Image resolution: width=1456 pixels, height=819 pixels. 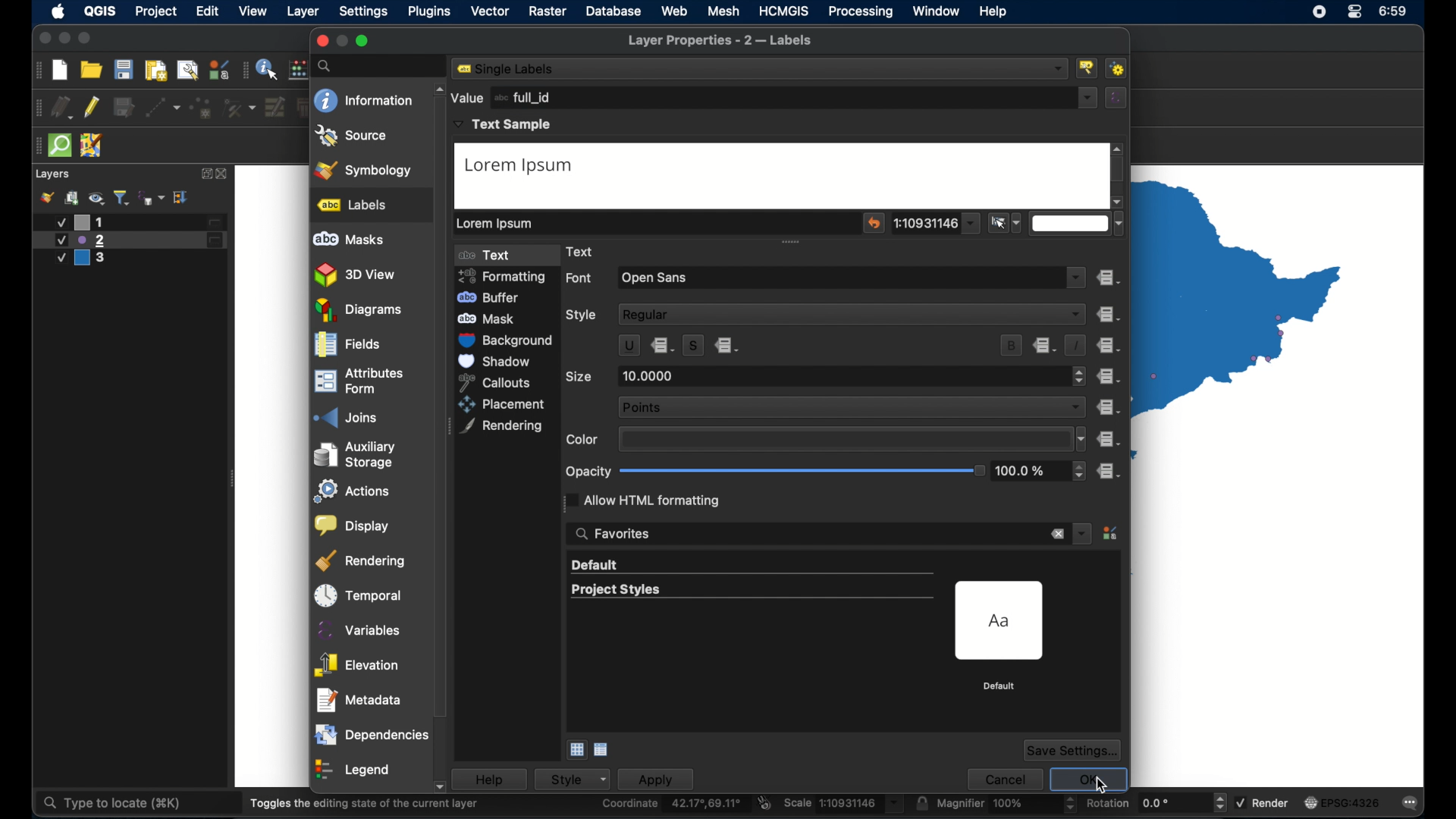 What do you see at coordinates (853, 313) in the screenshot?
I see `Regular` at bounding box center [853, 313].